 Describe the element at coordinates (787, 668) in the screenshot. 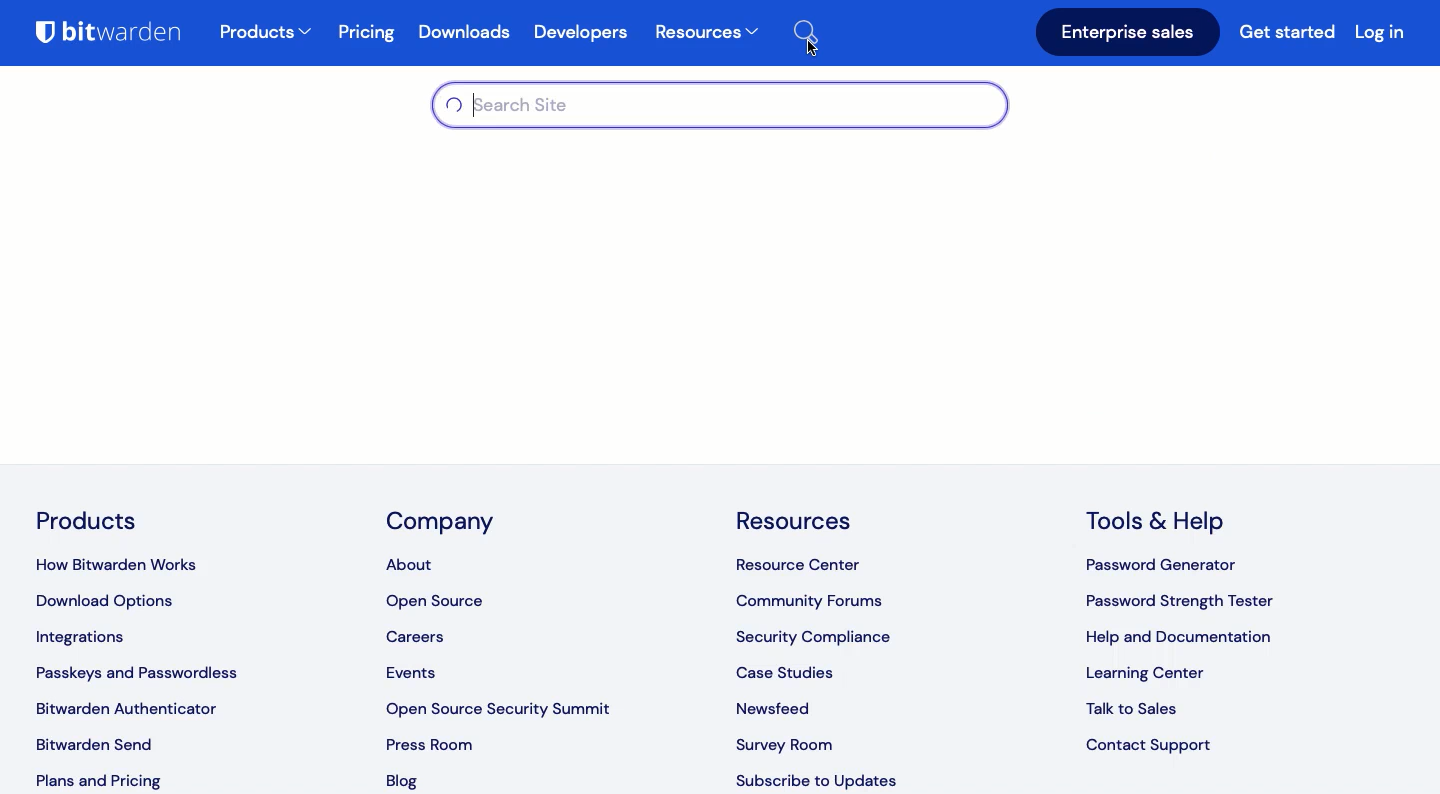

I see `case studies` at that location.